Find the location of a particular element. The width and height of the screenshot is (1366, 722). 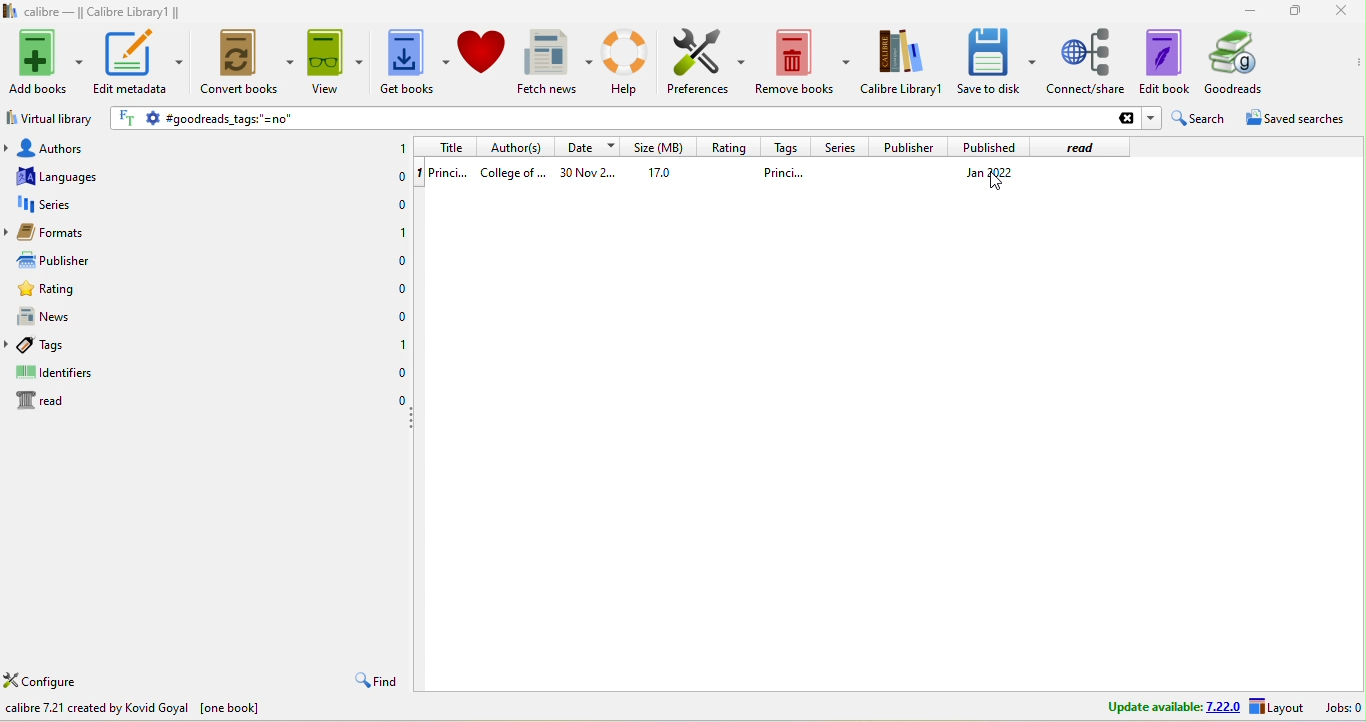

0 is located at coordinates (402, 318).